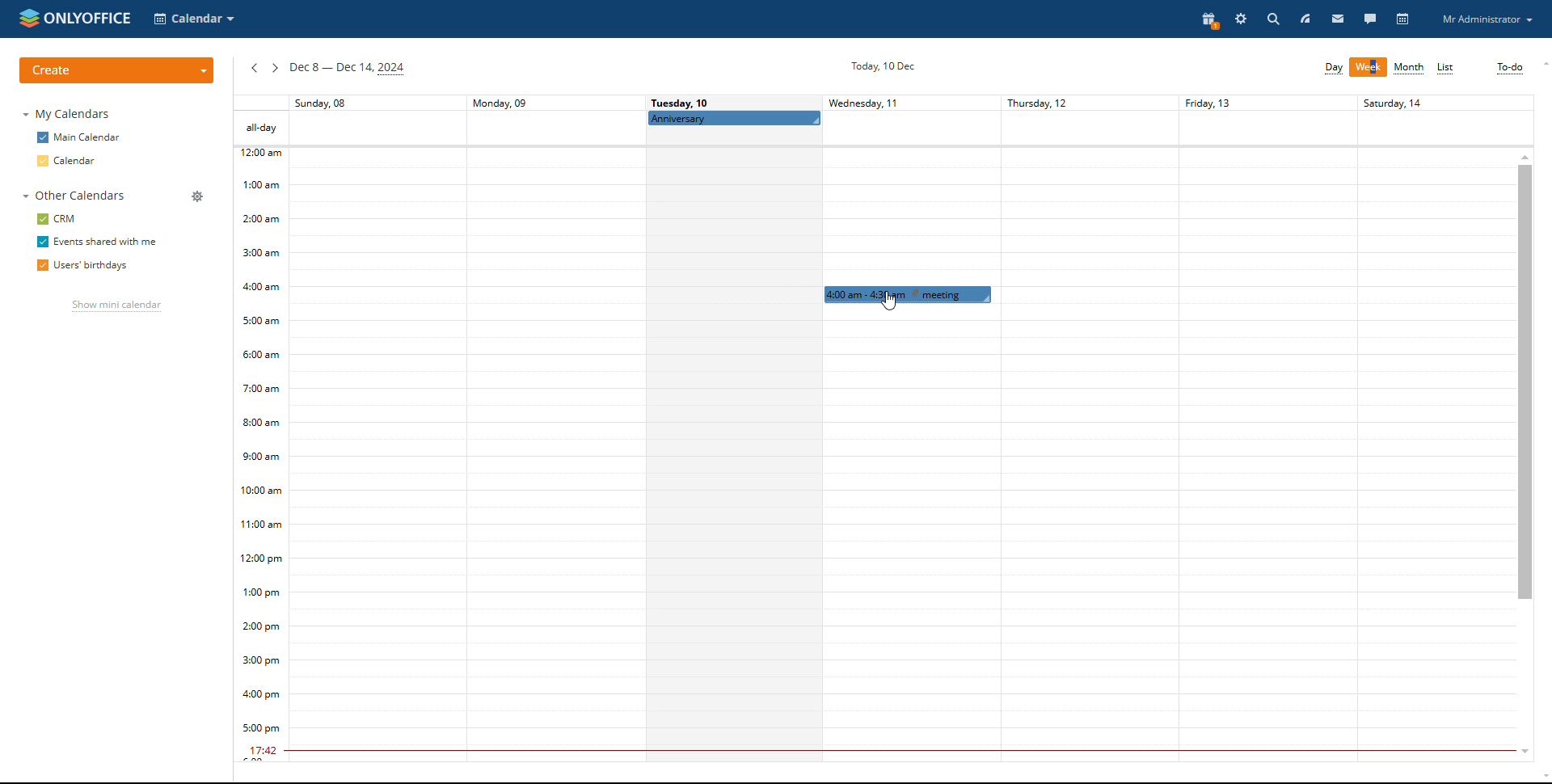  What do you see at coordinates (58, 219) in the screenshot?
I see `crm` at bounding box center [58, 219].